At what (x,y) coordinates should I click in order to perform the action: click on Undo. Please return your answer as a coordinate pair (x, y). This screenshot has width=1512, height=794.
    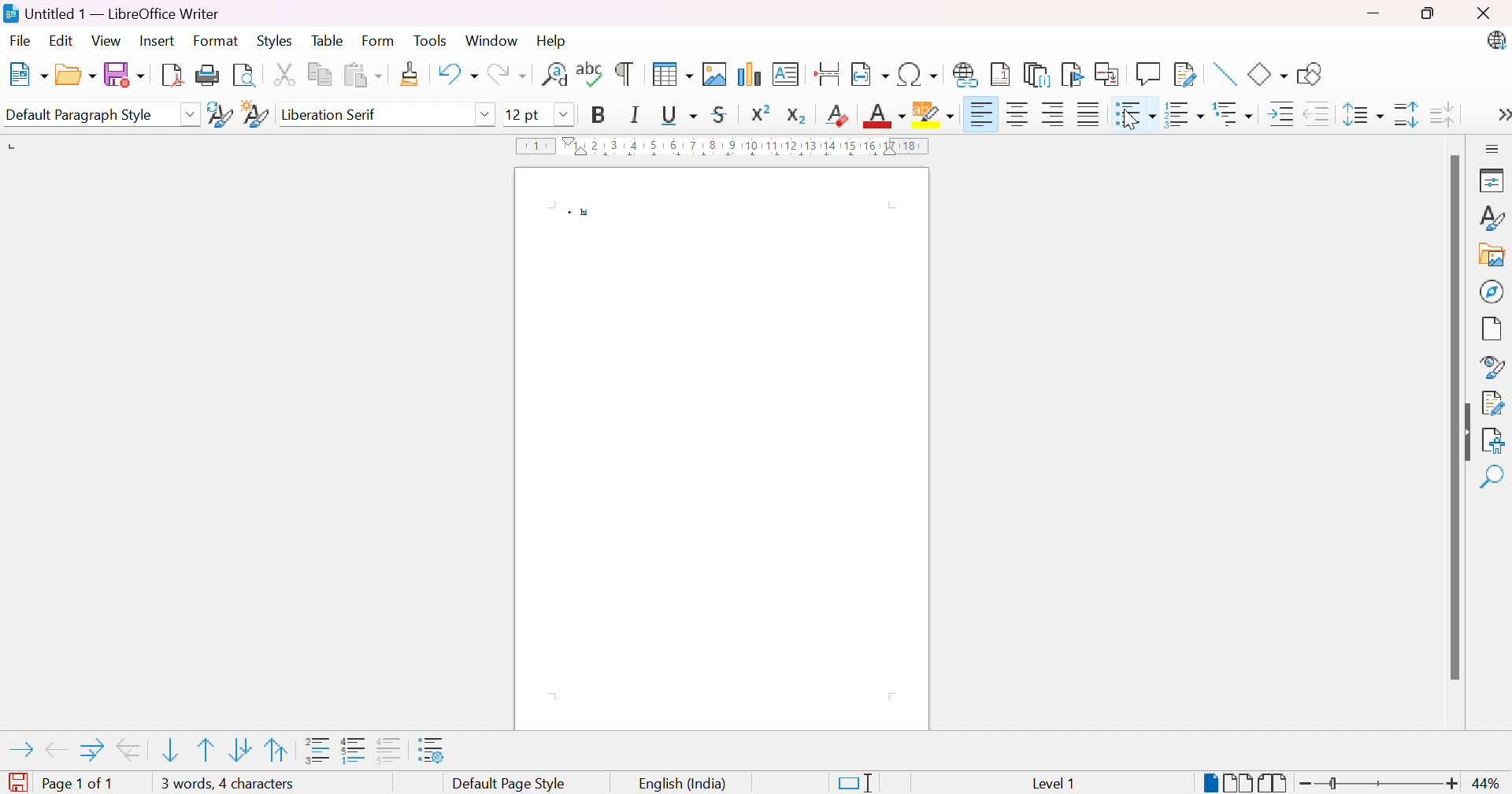
    Looking at the image, I should click on (458, 76).